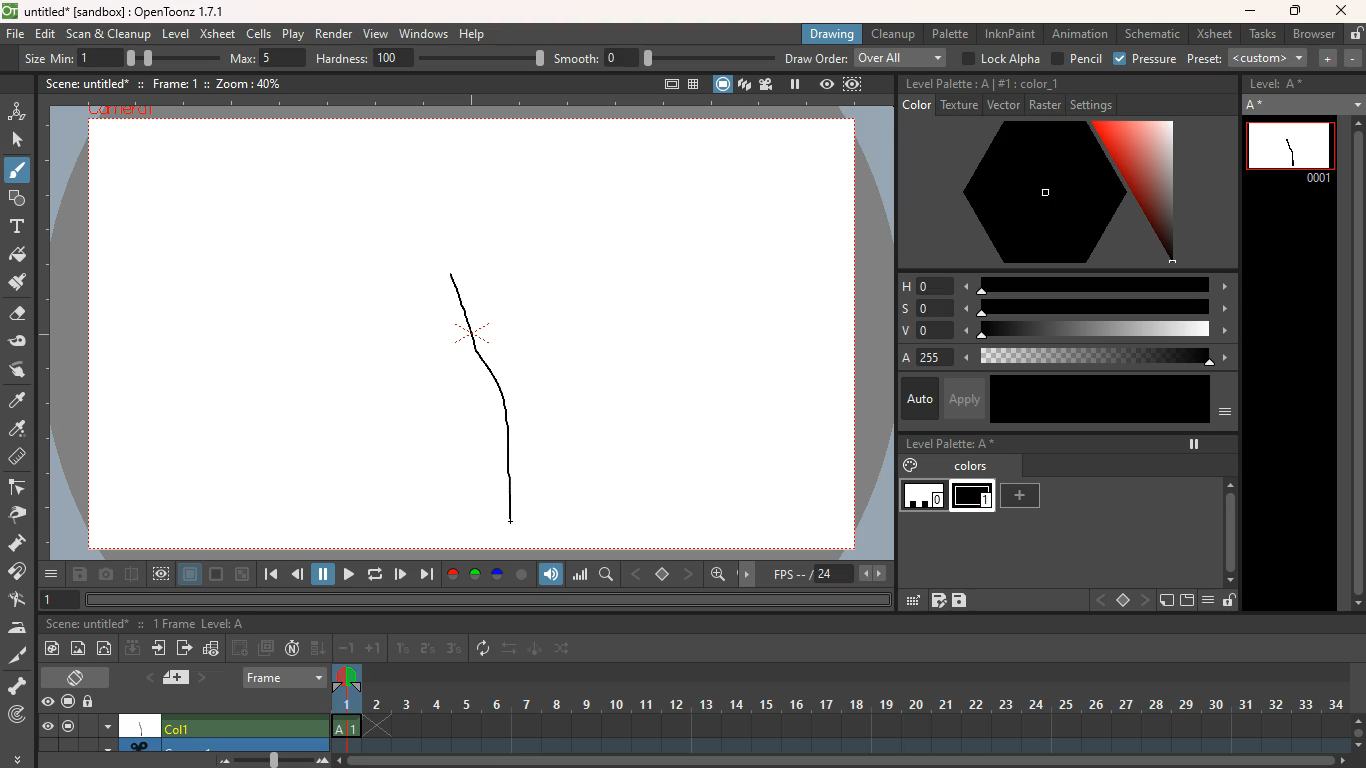  I want to click on move, so click(750, 573).